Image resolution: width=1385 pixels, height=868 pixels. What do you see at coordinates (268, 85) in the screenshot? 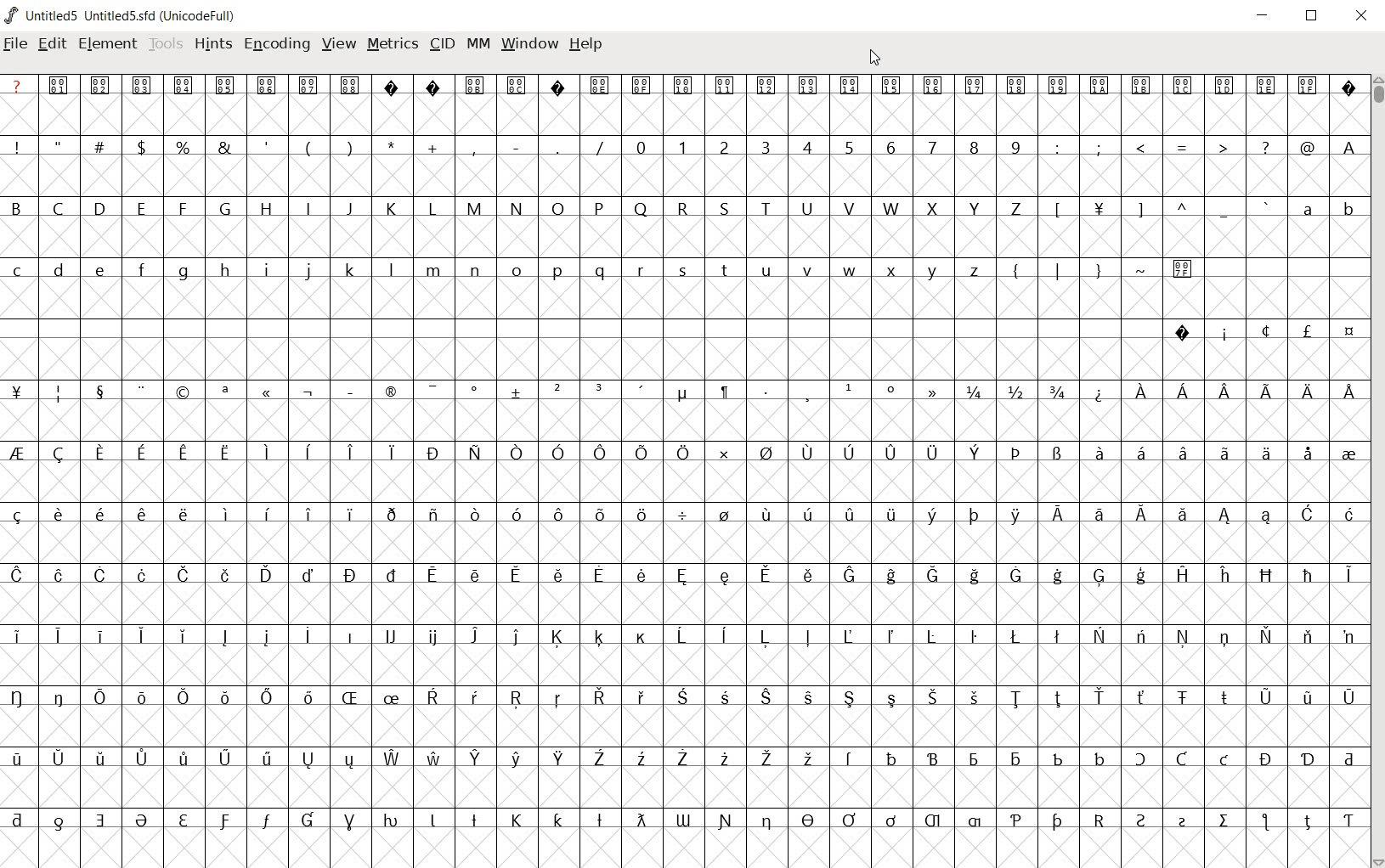
I see `Symbol` at bounding box center [268, 85].